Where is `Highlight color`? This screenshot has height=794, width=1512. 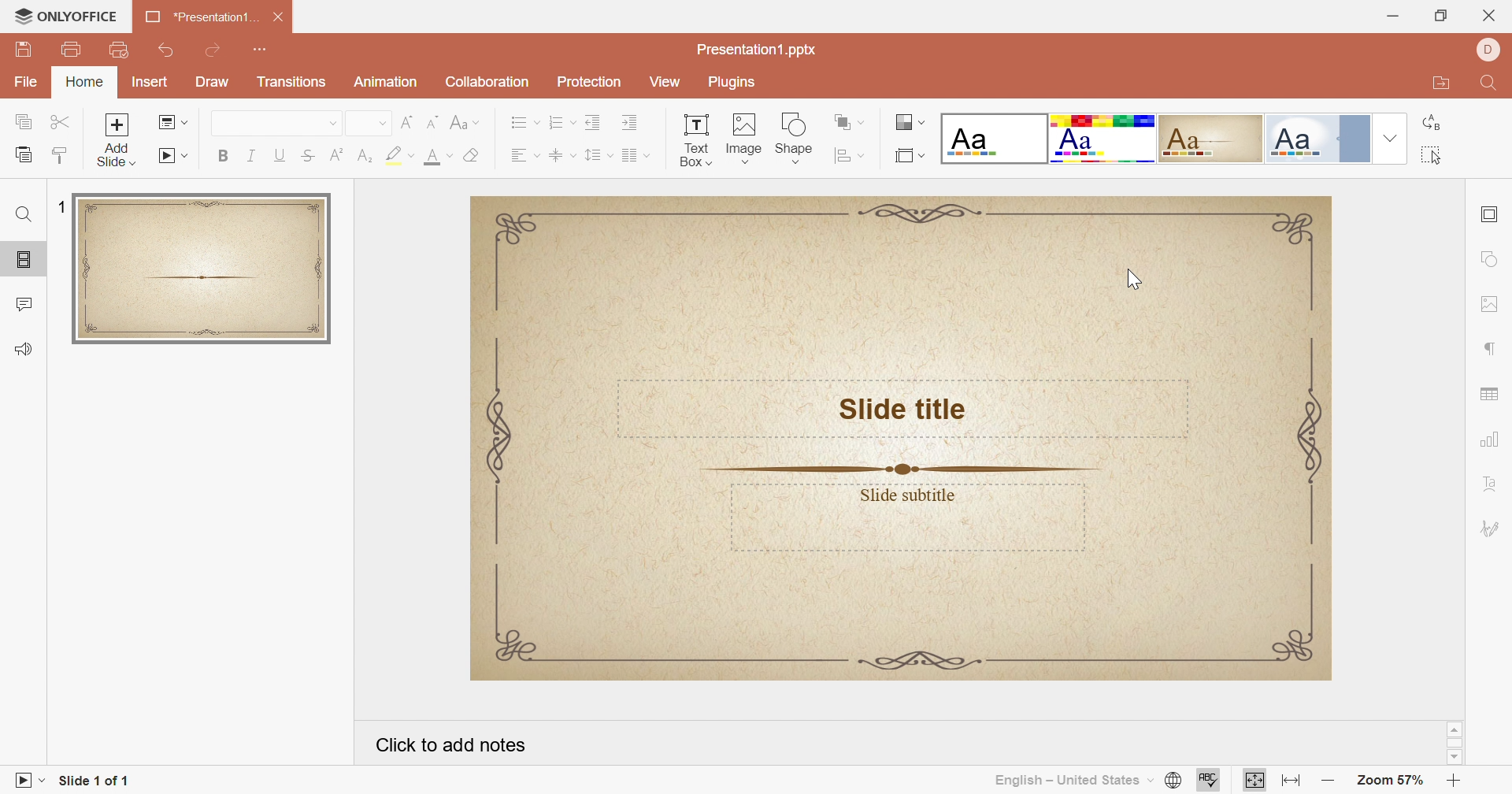
Highlight color is located at coordinates (391, 154).